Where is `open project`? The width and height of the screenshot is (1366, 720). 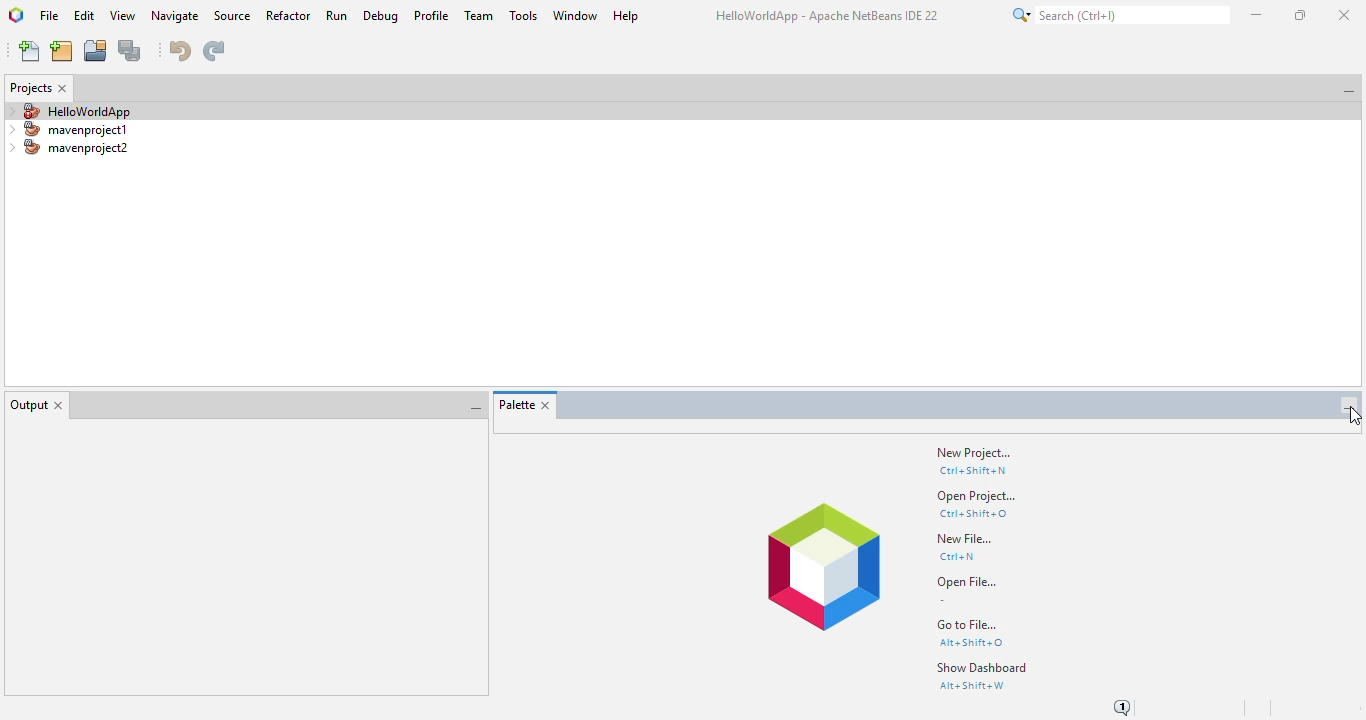
open project is located at coordinates (976, 497).